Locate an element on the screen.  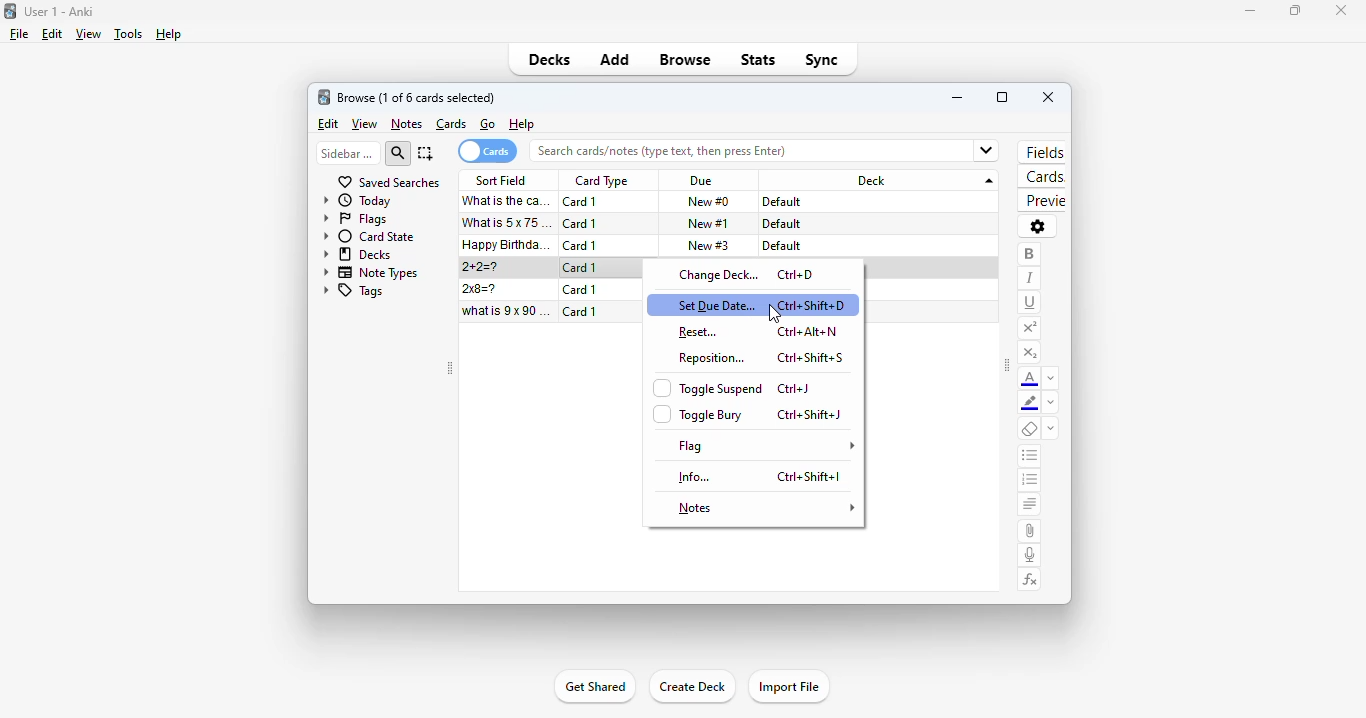
go is located at coordinates (488, 124).